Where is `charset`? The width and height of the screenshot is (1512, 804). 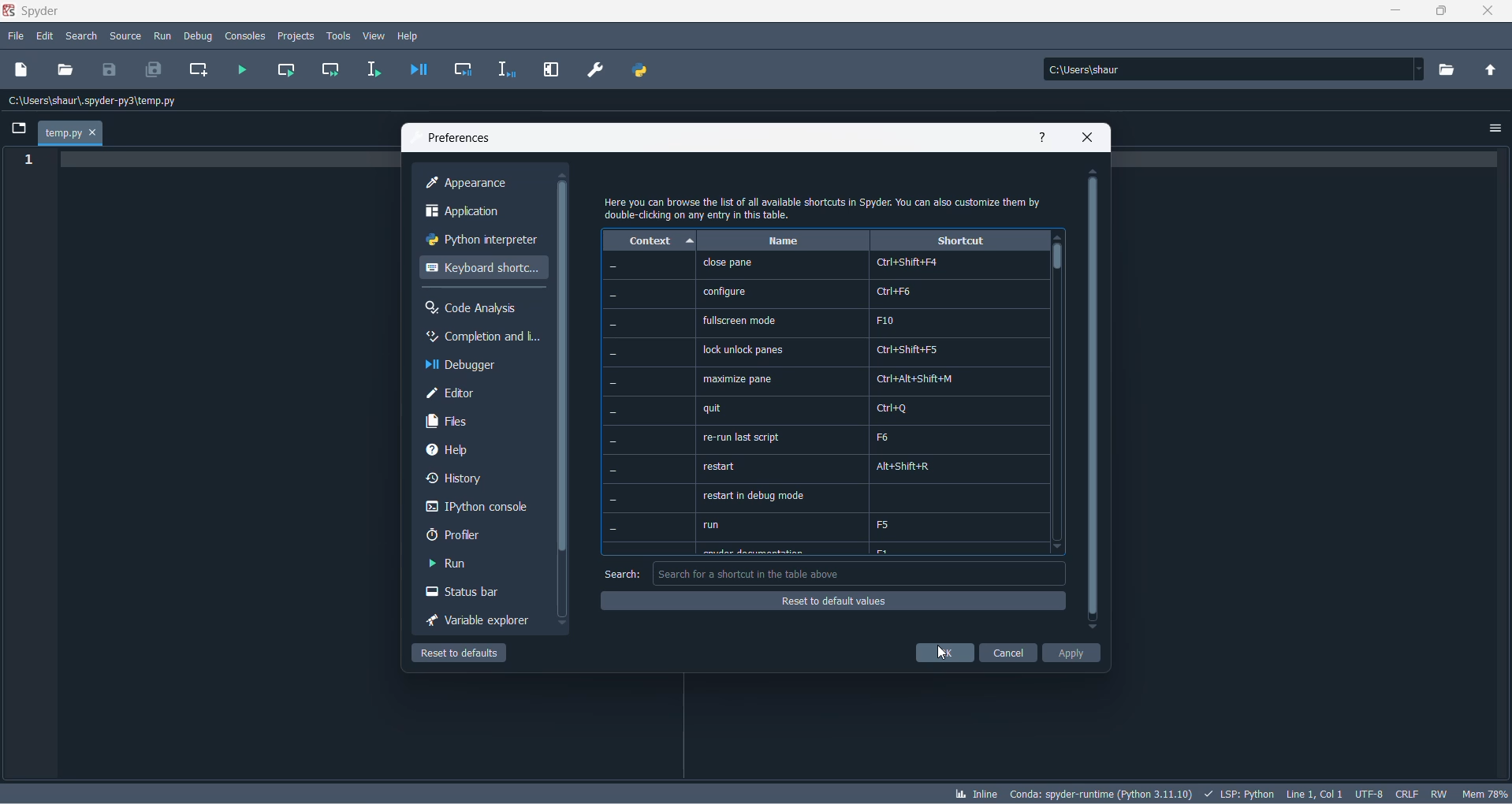
charset is located at coordinates (1369, 792).